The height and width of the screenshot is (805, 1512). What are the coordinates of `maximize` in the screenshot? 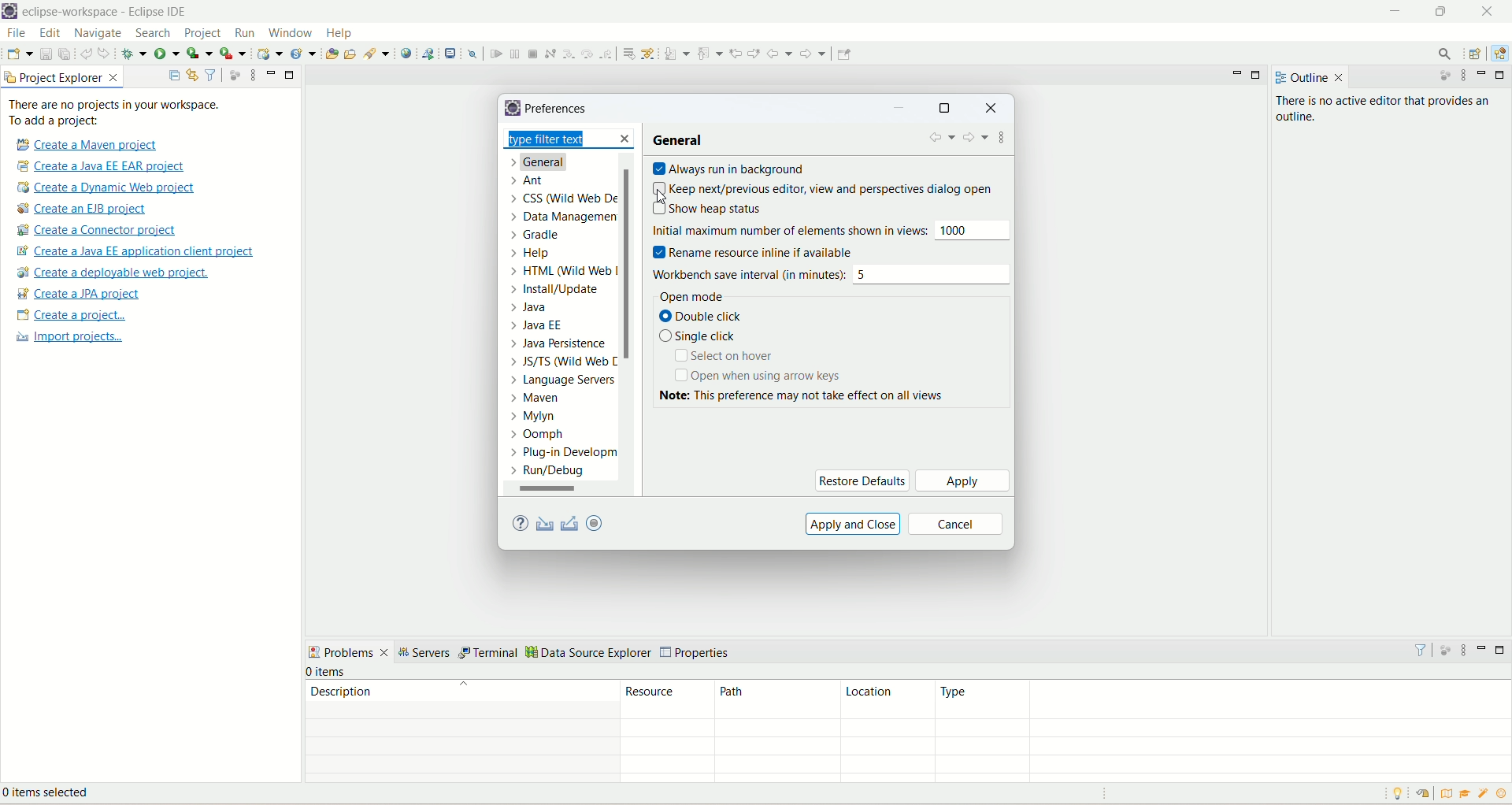 It's located at (291, 76).